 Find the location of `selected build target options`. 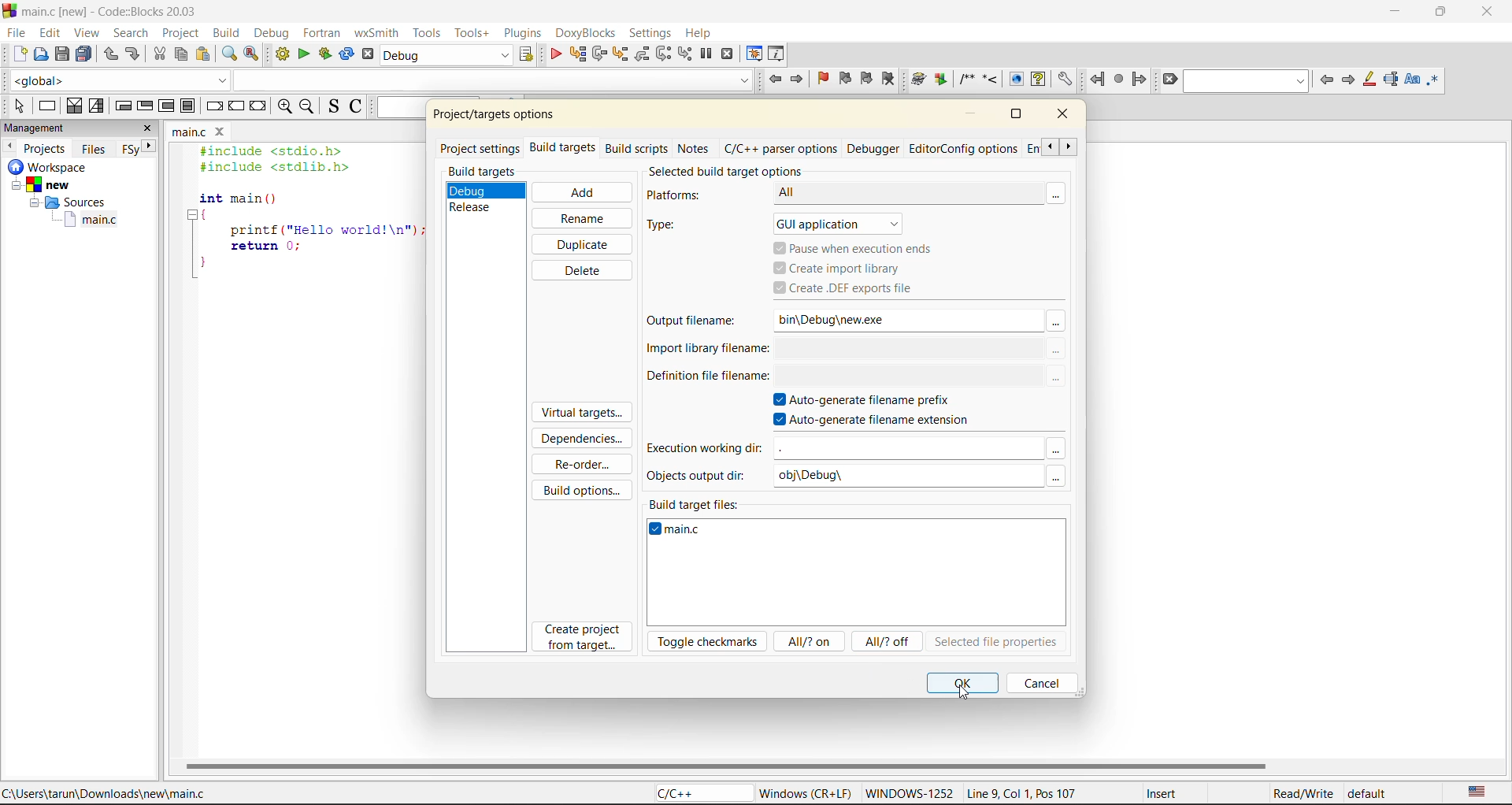

selected build target options is located at coordinates (729, 170).